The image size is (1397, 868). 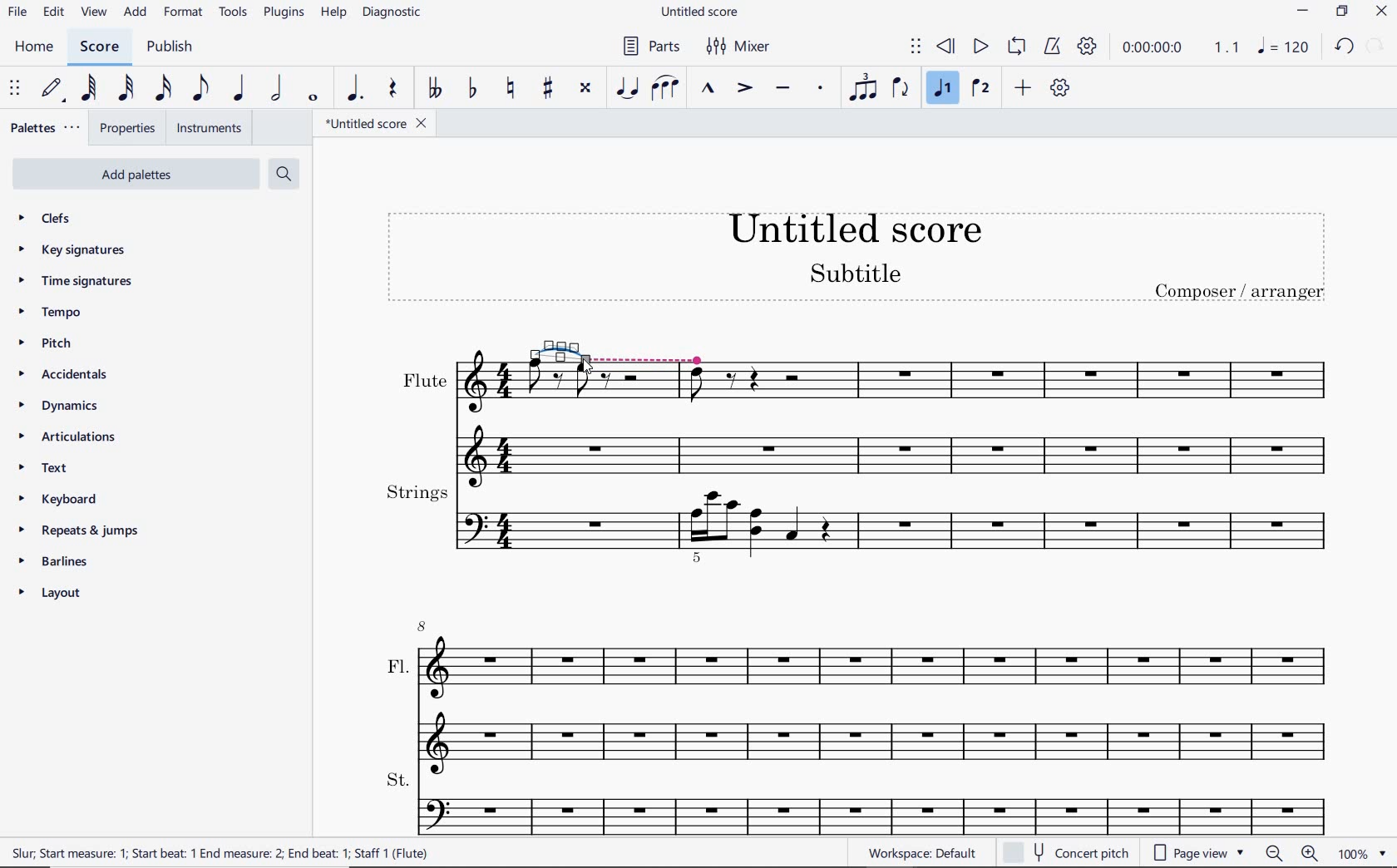 What do you see at coordinates (981, 89) in the screenshot?
I see `VOICE 2` at bounding box center [981, 89].